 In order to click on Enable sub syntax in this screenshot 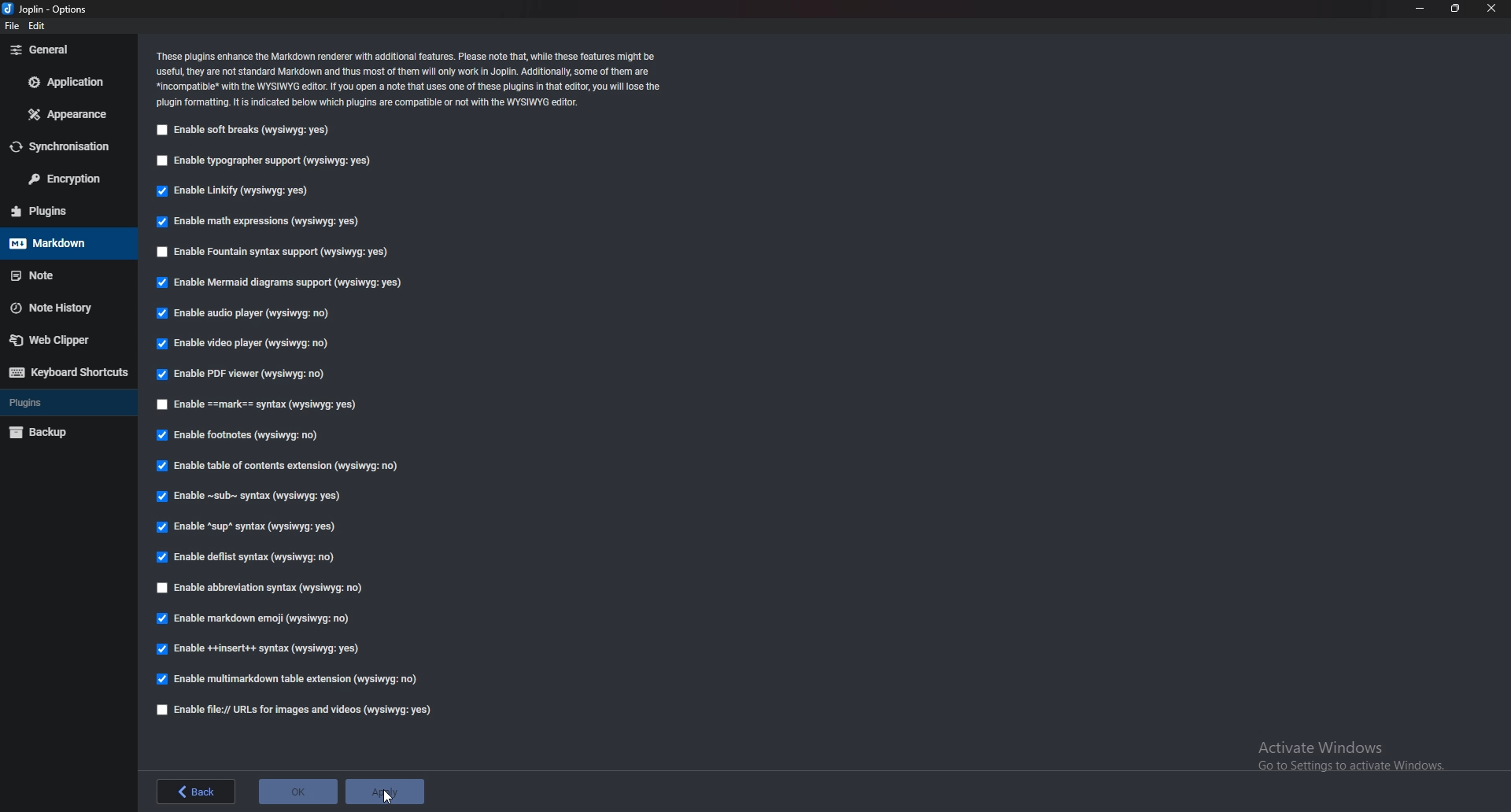, I will do `click(252, 500)`.